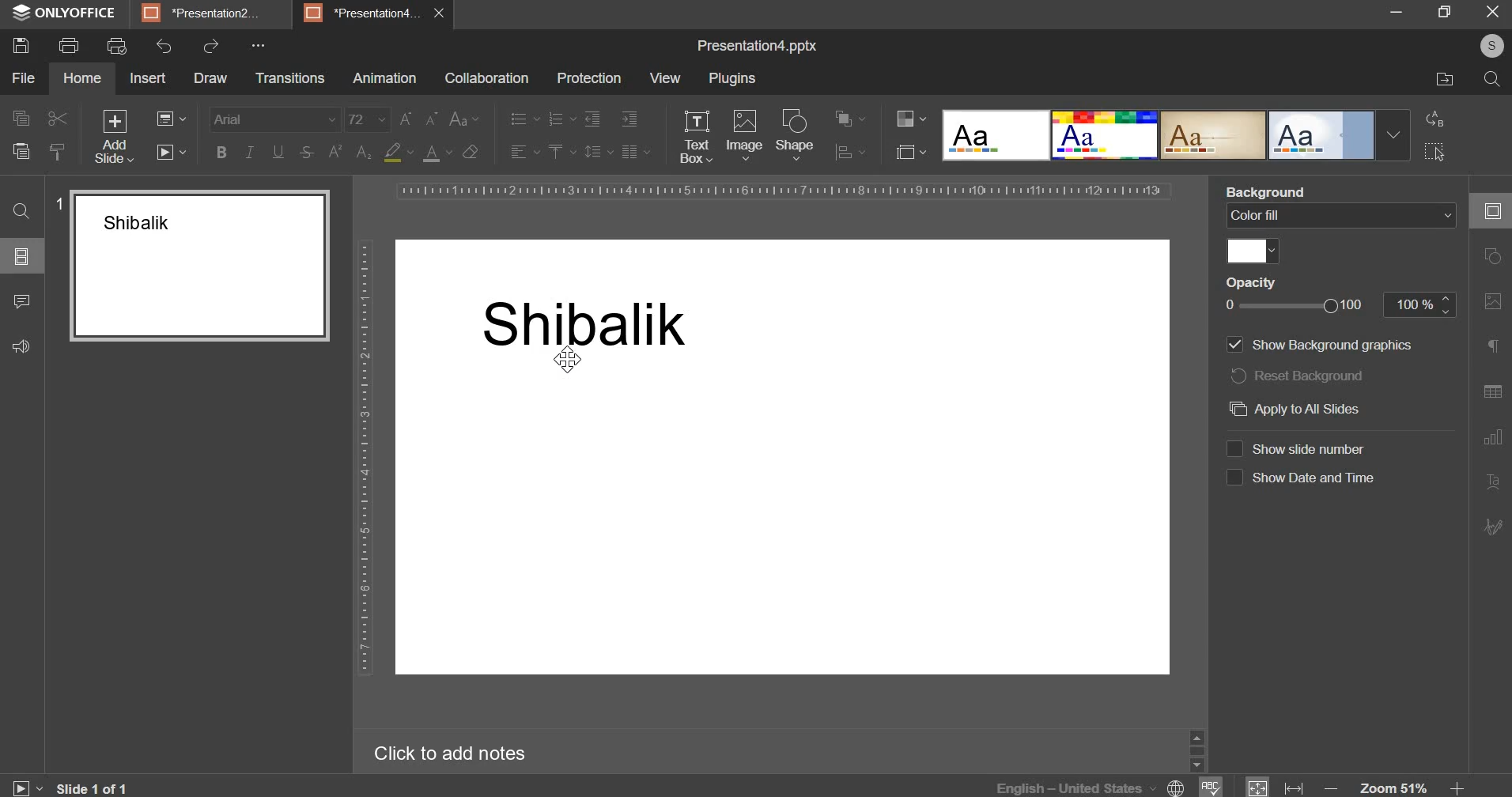 The width and height of the screenshot is (1512, 797). Describe the element at coordinates (112, 137) in the screenshot. I see `add slides` at that location.